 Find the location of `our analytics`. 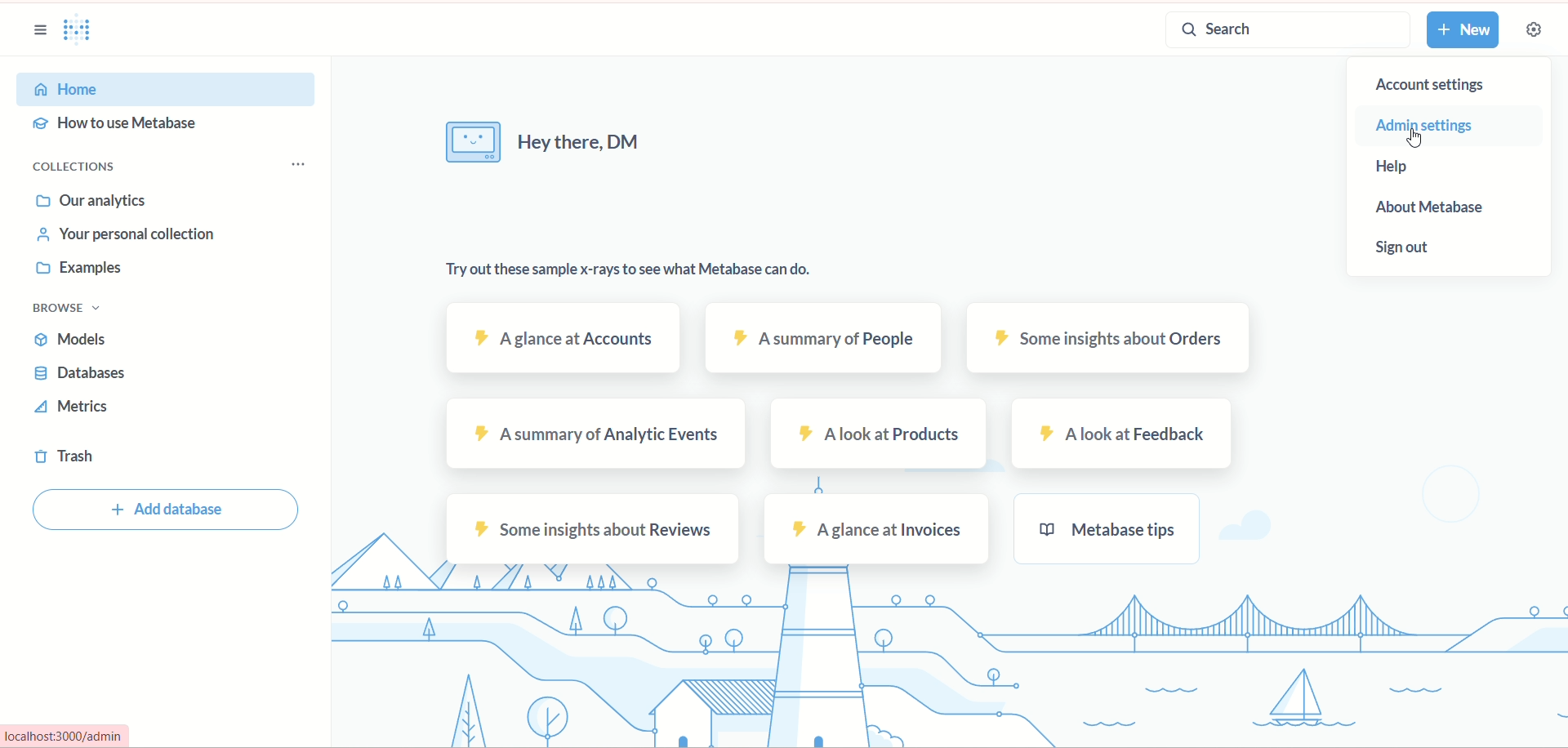

our analytics is located at coordinates (94, 199).